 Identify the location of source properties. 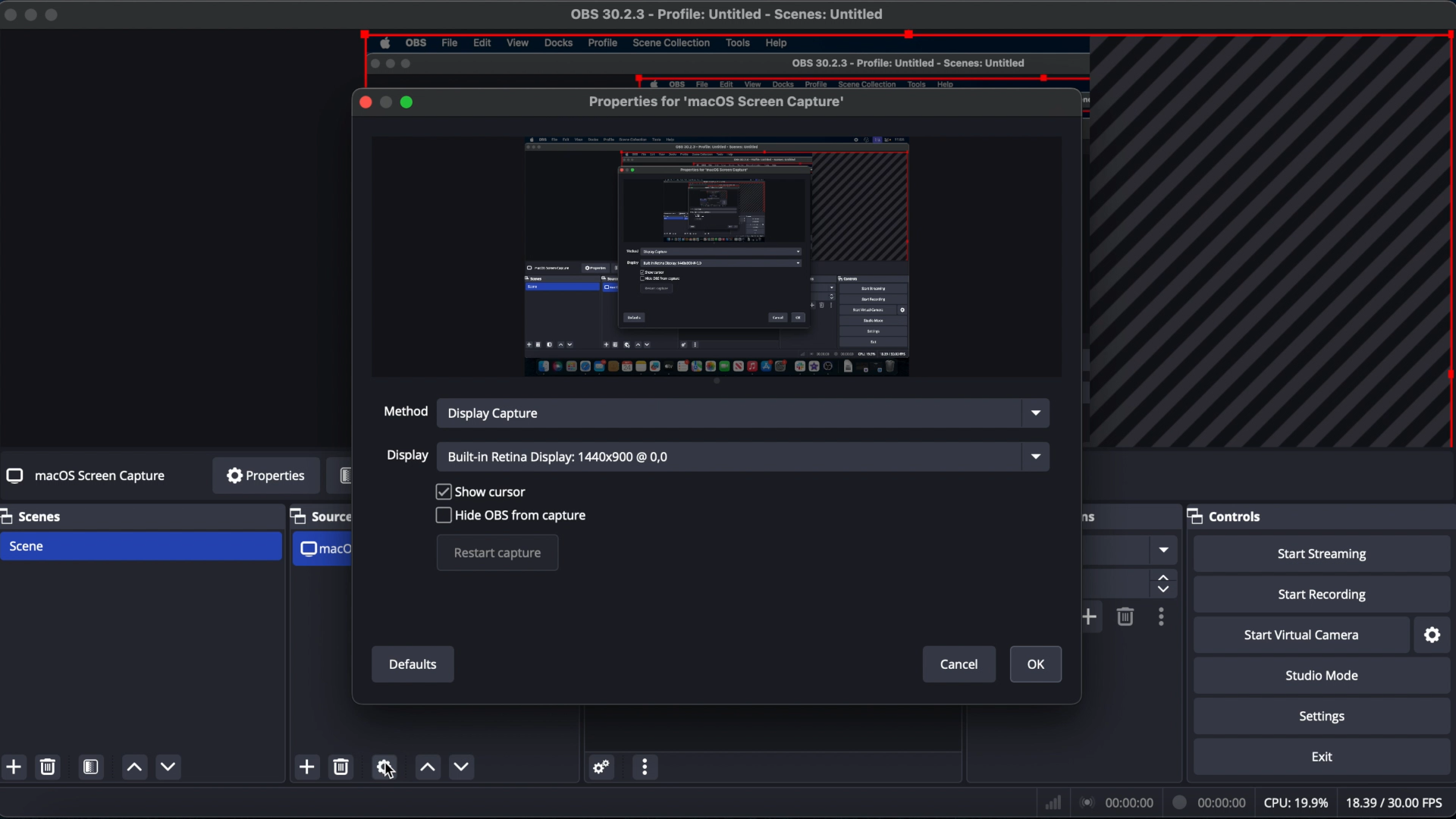
(384, 767).